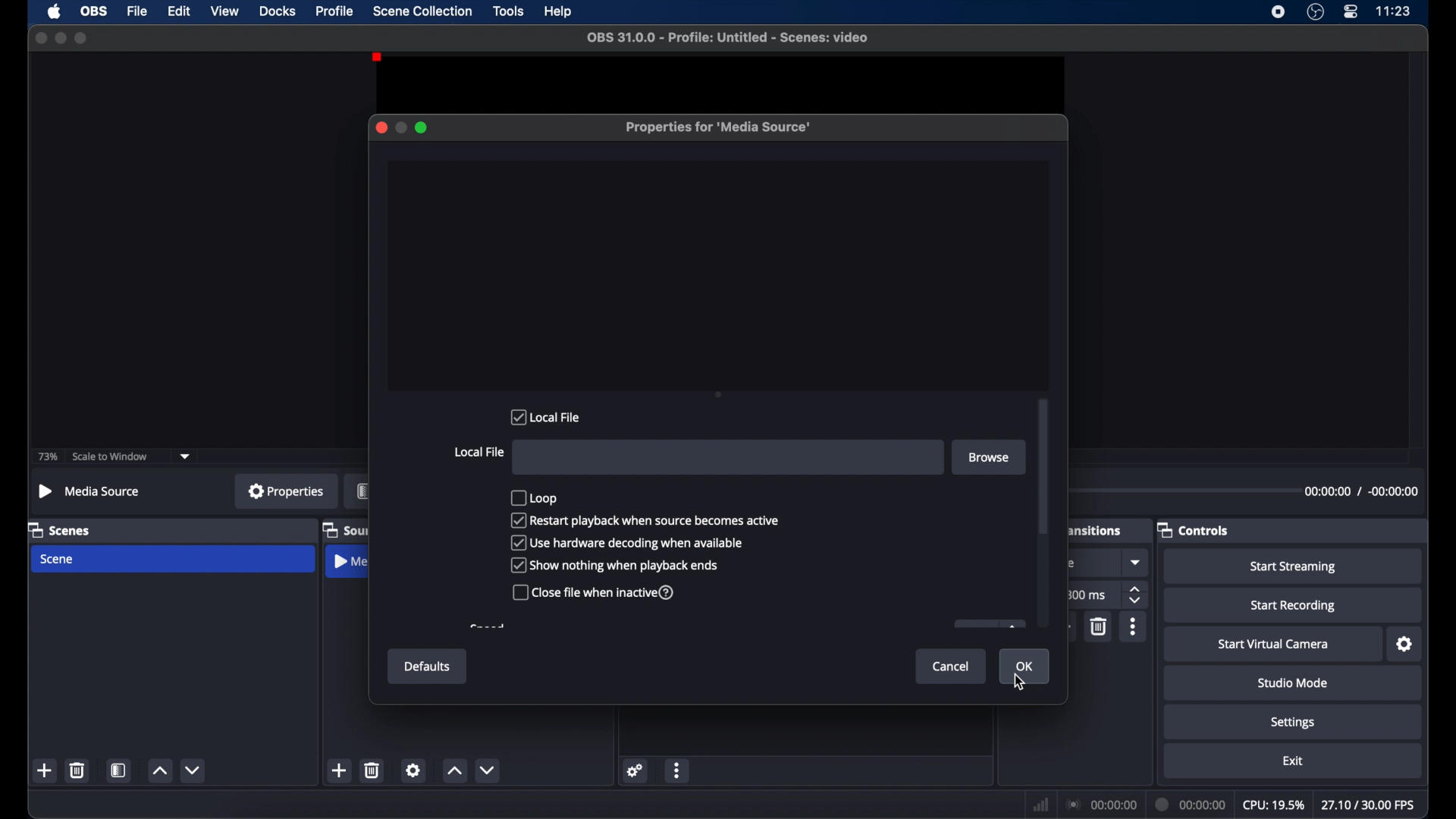  What do you see at coordinates (718, 127) in the screenshot?
I see `properties for media source` at bounding box center [718, 127].